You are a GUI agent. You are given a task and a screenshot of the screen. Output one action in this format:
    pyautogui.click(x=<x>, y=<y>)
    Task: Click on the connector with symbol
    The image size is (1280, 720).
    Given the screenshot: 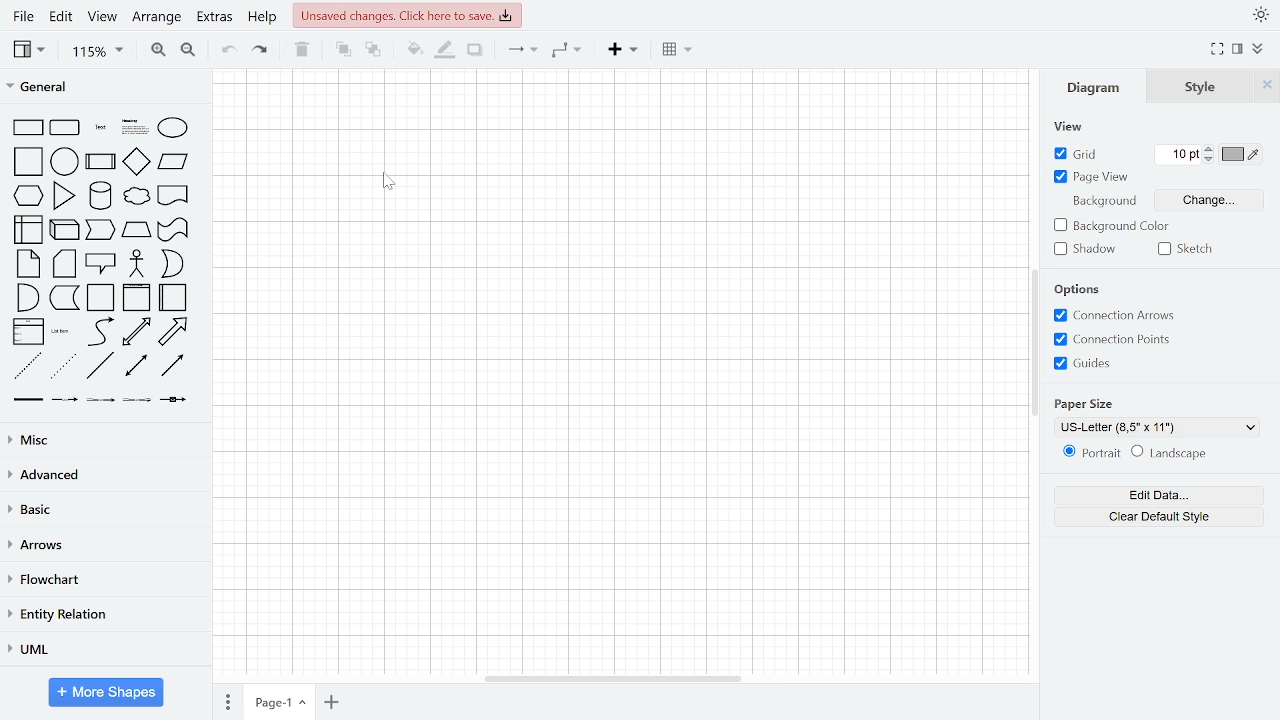 What is the action you would take?
    pyautogui.click(x=178, y=401)
    